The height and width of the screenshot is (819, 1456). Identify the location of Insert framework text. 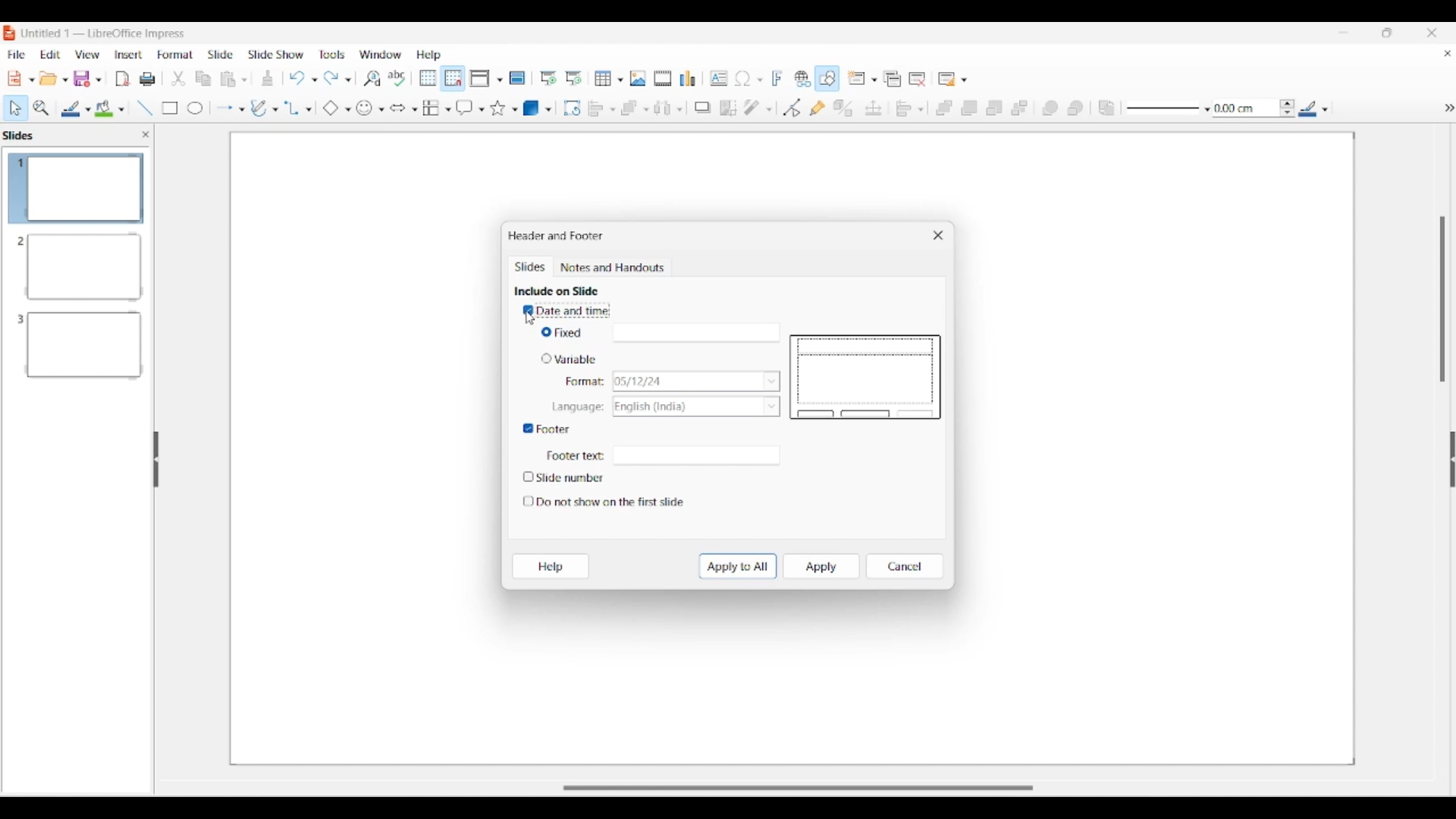
(777, 78).